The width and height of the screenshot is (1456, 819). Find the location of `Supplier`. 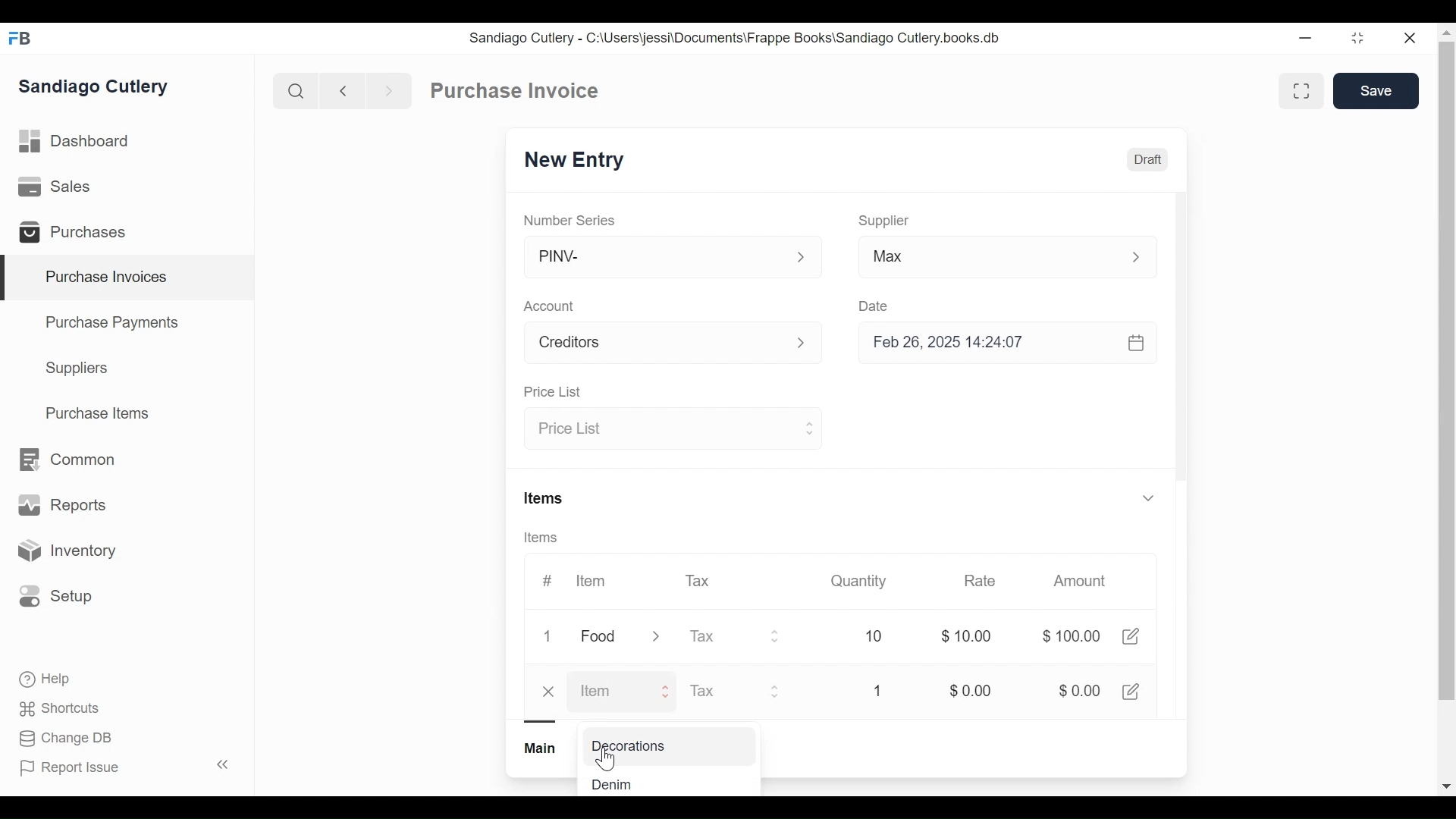

Supplier is located at coordinates (886, 220).